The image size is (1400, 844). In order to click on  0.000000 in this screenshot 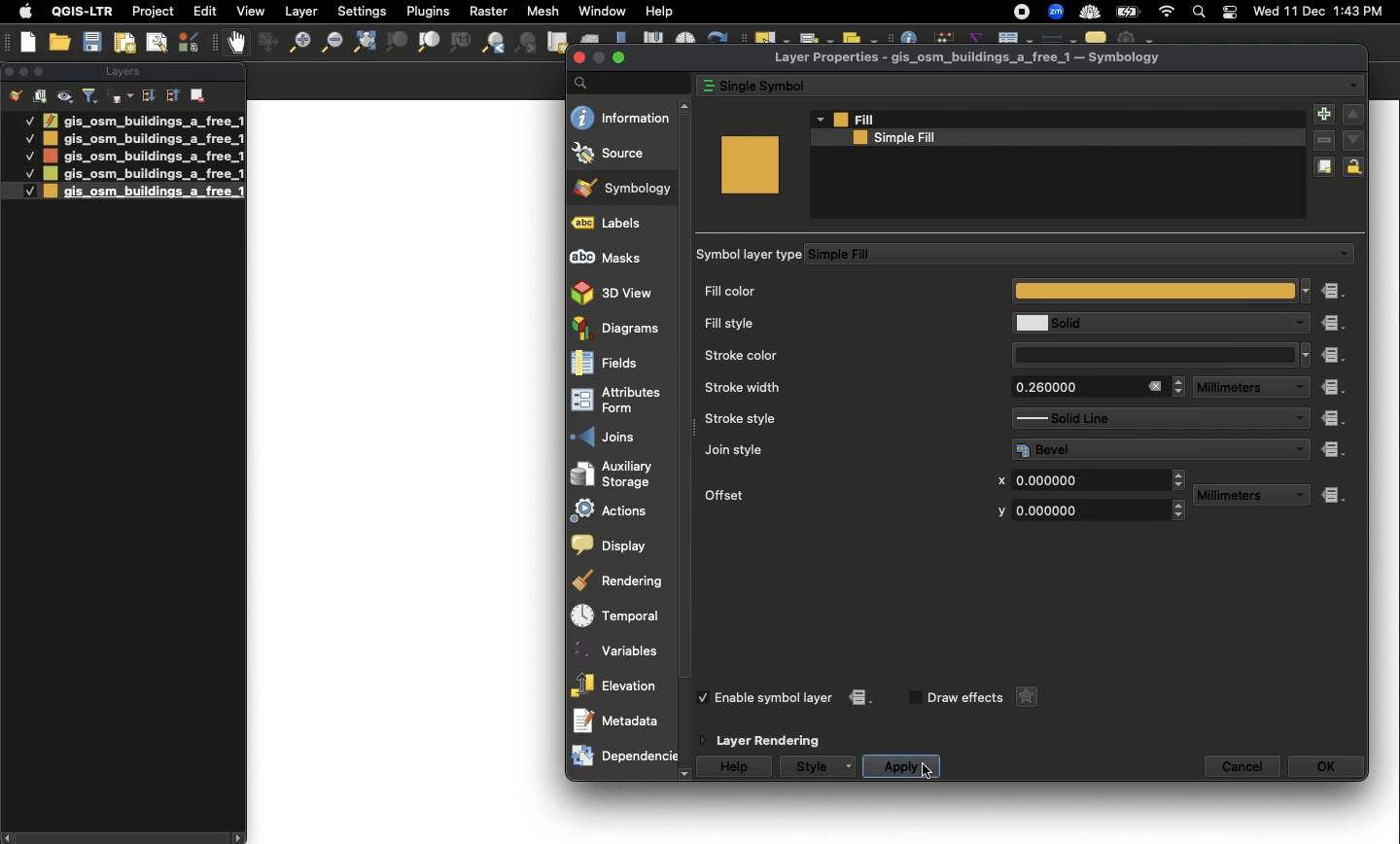, I will do `click(1084, 510)`.